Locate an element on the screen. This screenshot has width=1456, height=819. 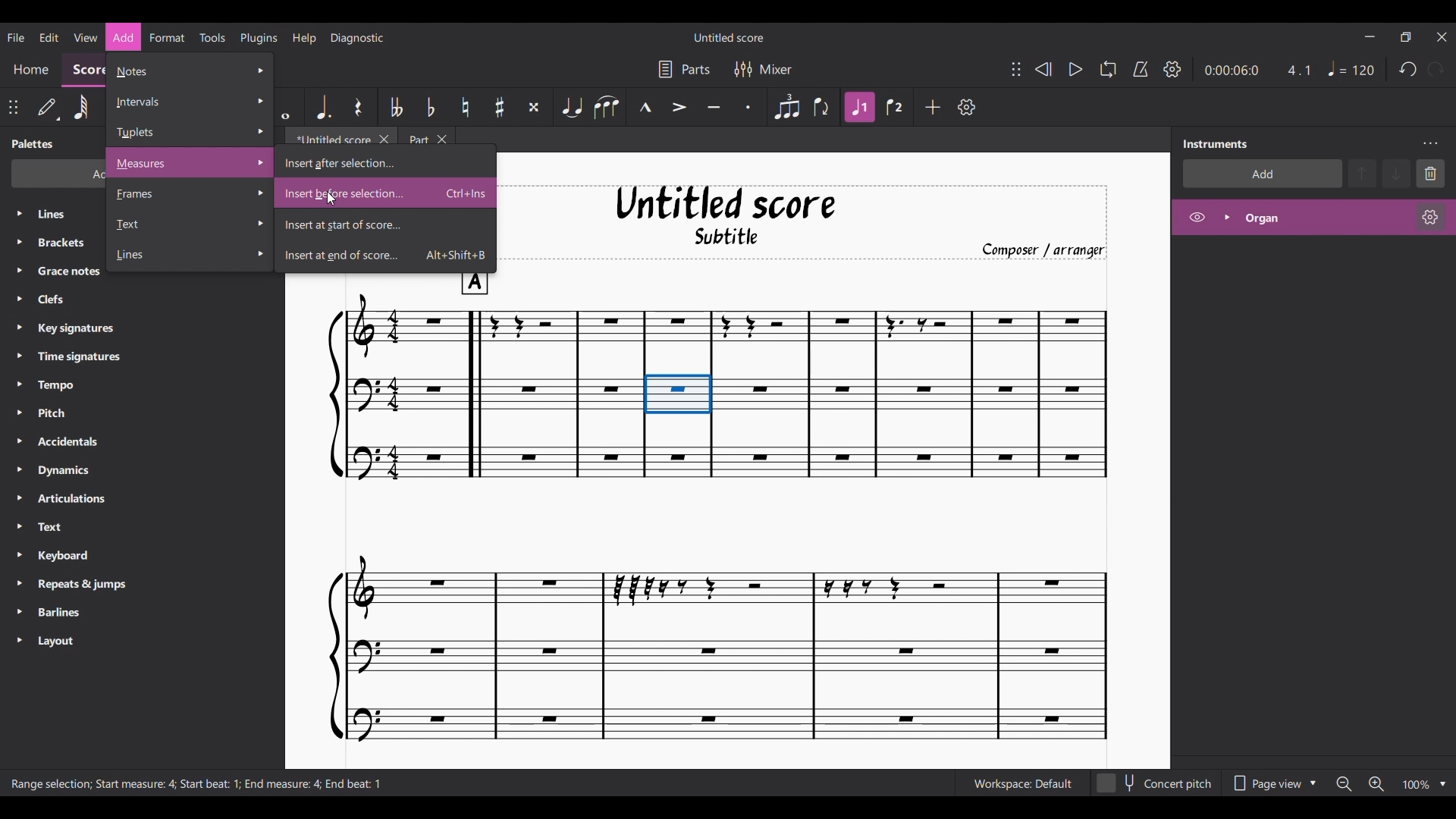
Toggle for concert pitch is located at coordinates (1155, 783).